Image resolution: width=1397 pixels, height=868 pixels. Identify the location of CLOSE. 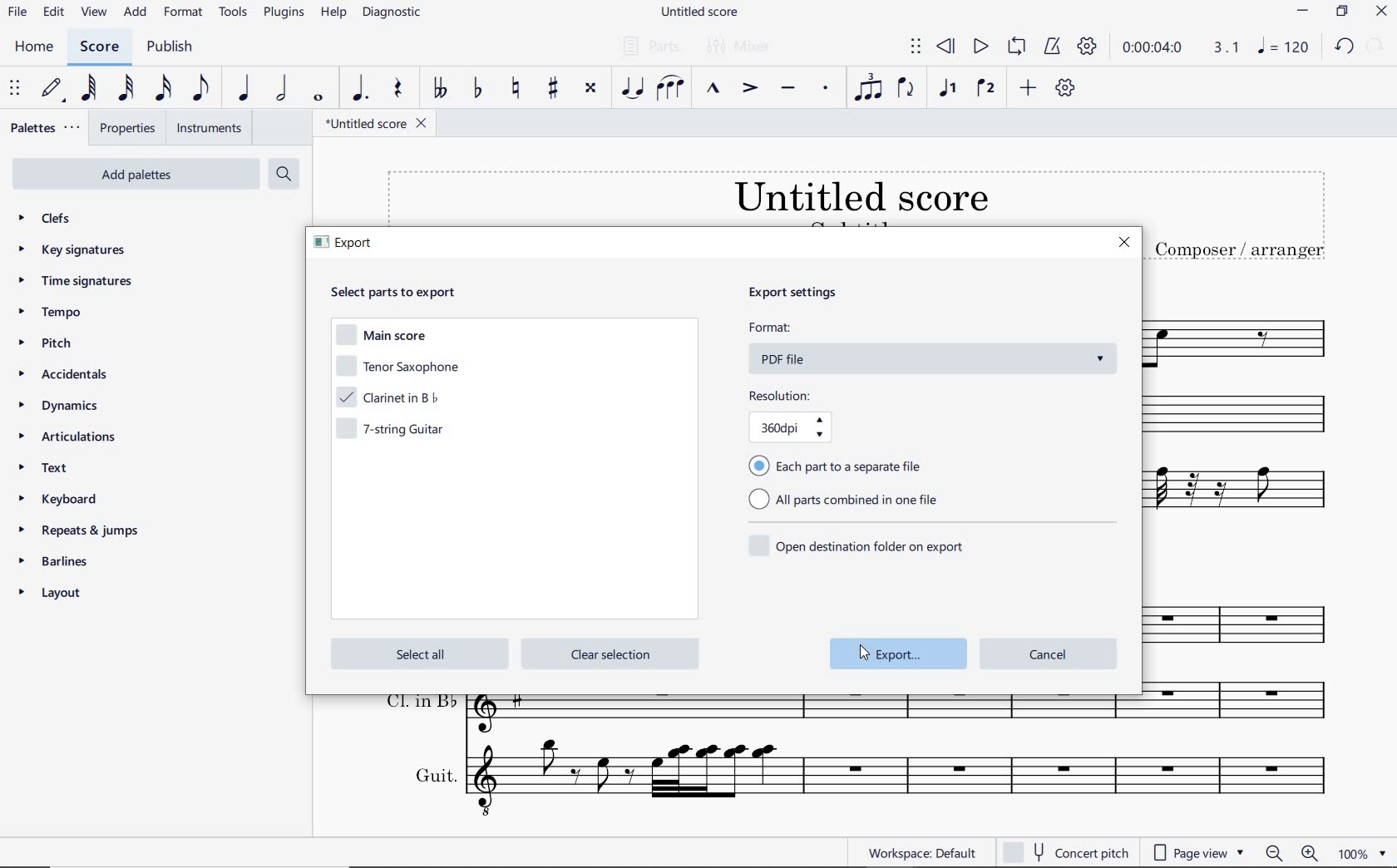
(1381, 11).